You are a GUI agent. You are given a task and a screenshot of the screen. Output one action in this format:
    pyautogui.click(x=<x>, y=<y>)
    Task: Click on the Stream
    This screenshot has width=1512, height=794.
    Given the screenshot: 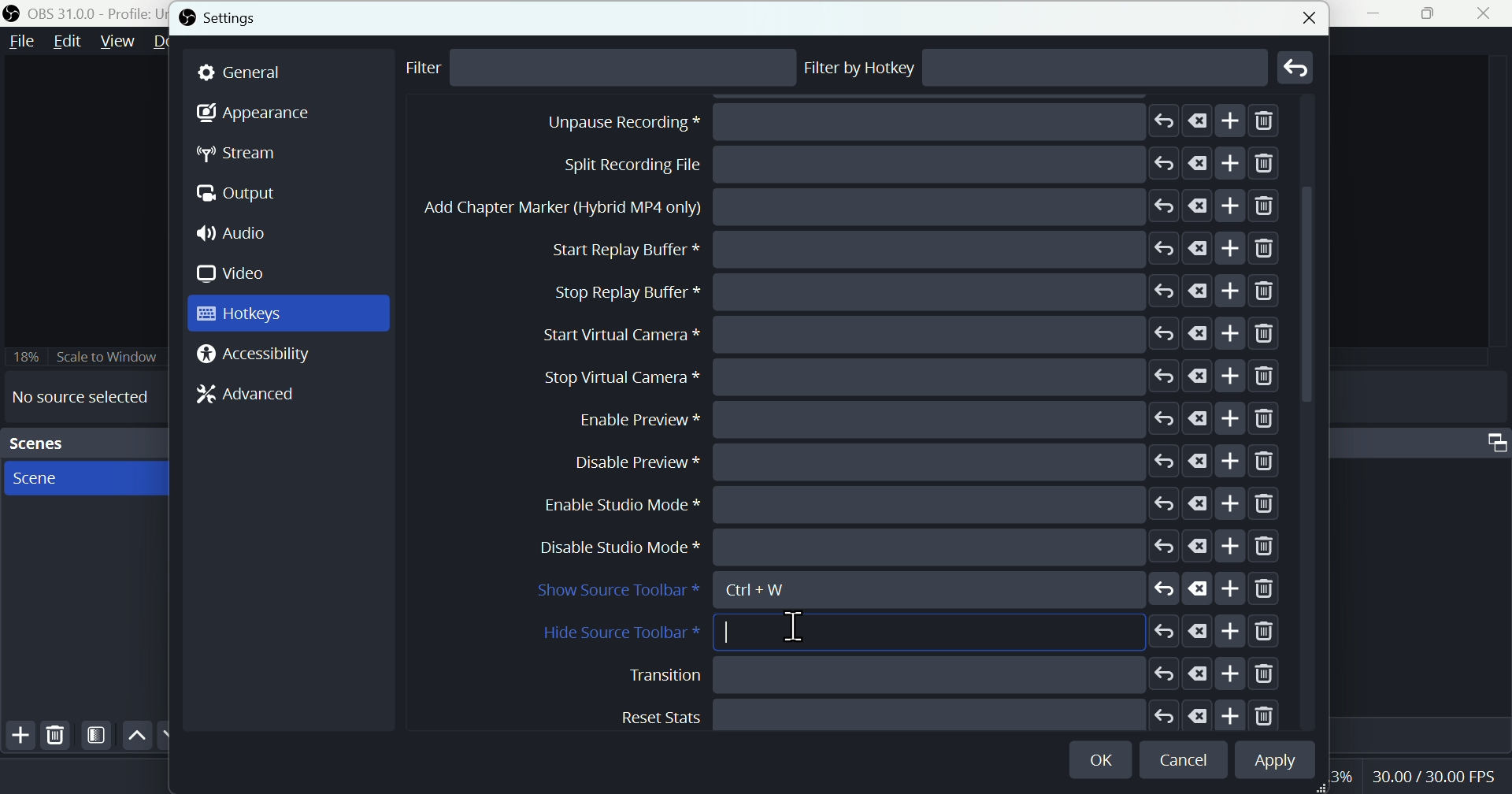 What is the action you would take?
    pyautogui.click(x=250, y=154)
    